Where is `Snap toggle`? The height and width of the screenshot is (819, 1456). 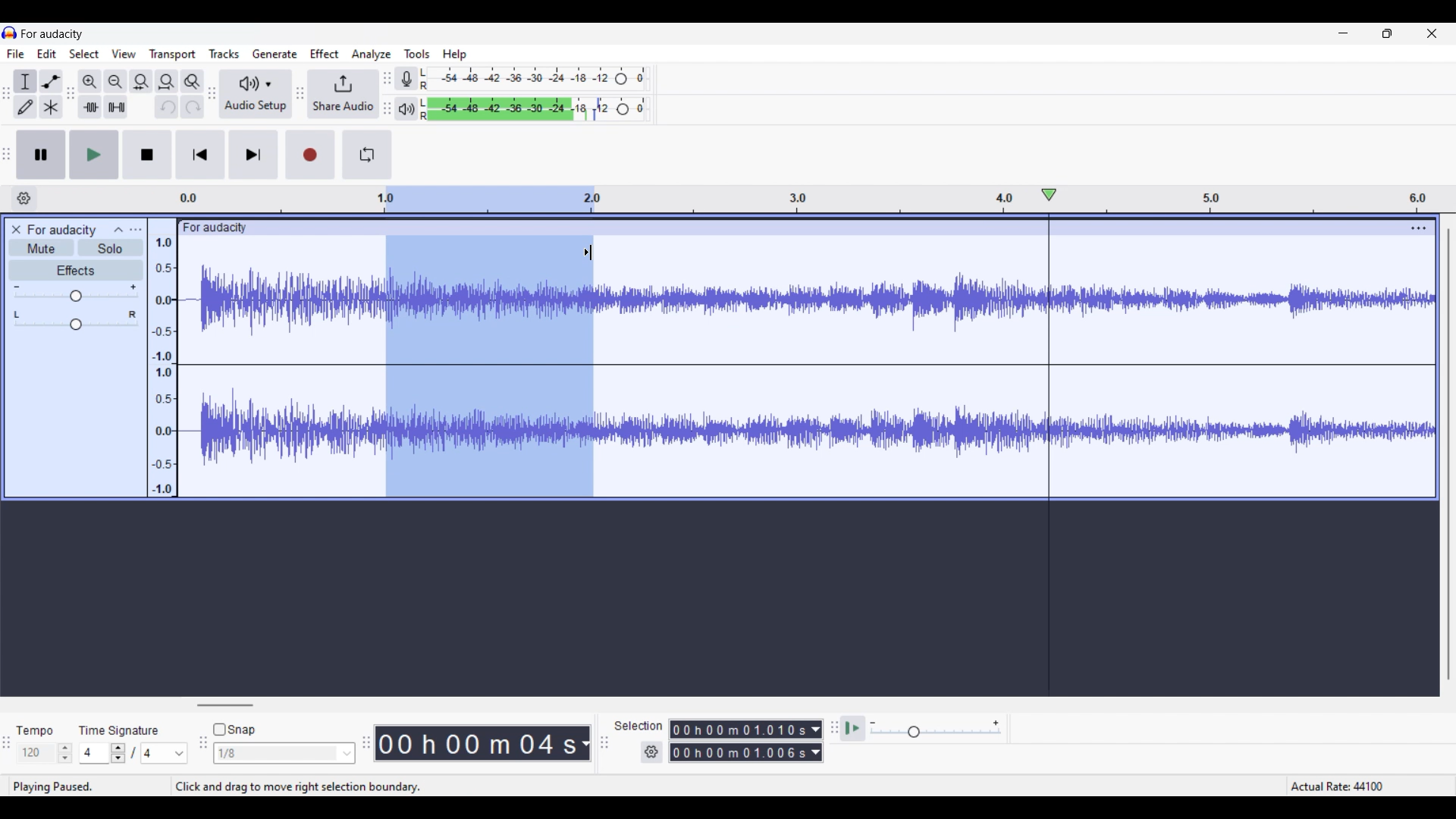 Snap toggle is located at coordinates (234, 730).